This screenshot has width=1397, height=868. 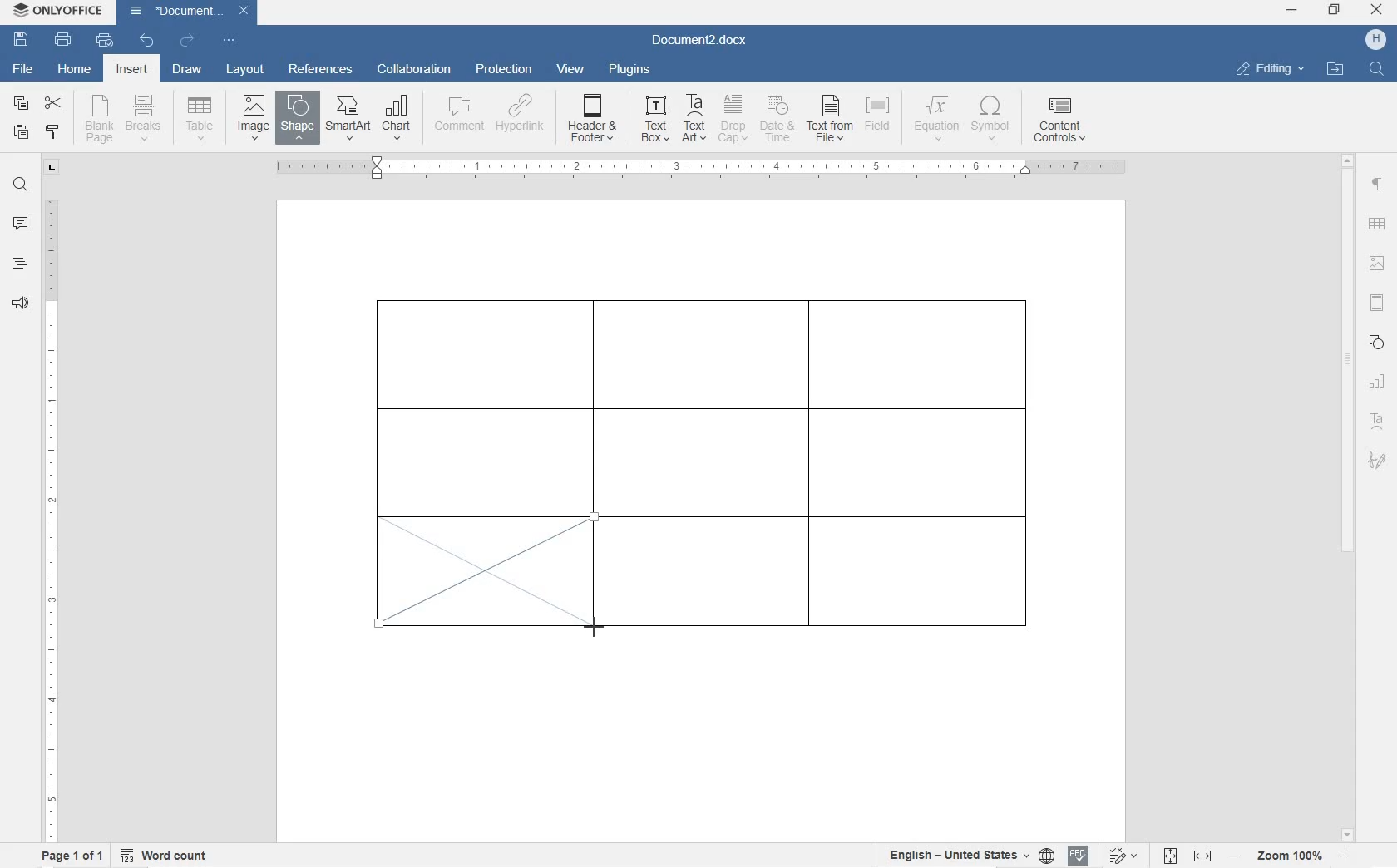 I want to click on feedback & support, so click(x=20, y=305).